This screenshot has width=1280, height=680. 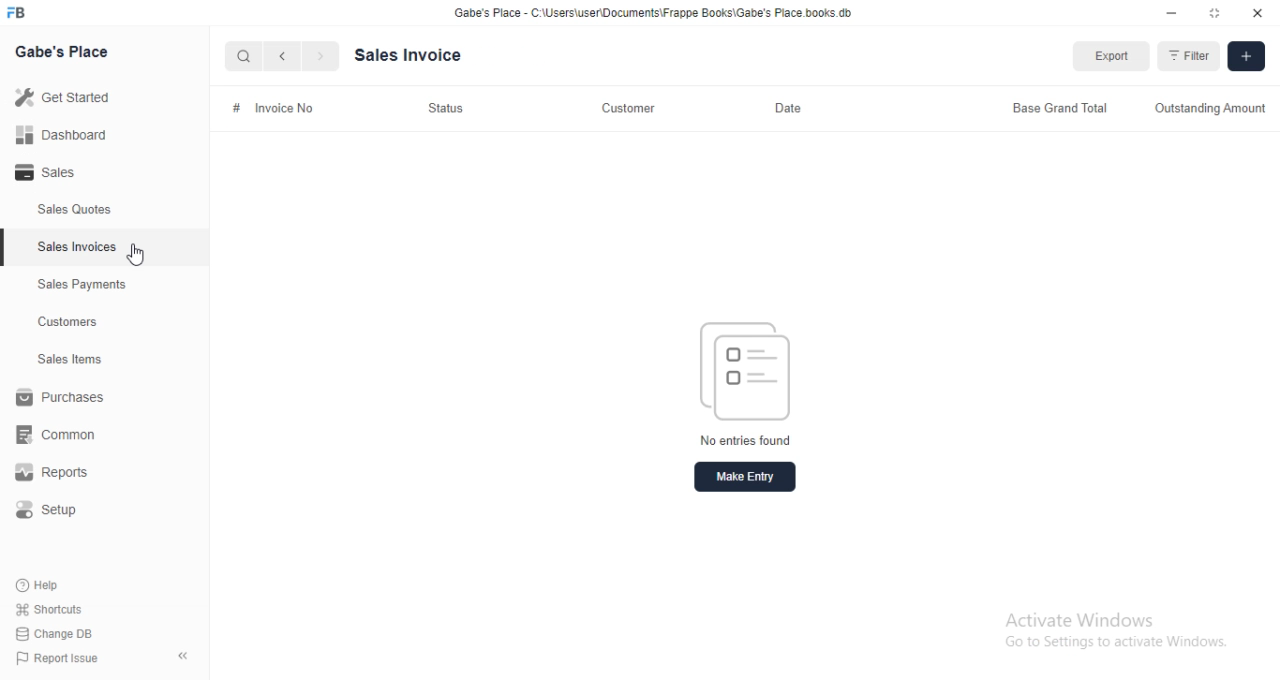 What do you see at coordinates (59, 397) in the screenshot?
I see `Purchases` at bounding box center [59, 397].